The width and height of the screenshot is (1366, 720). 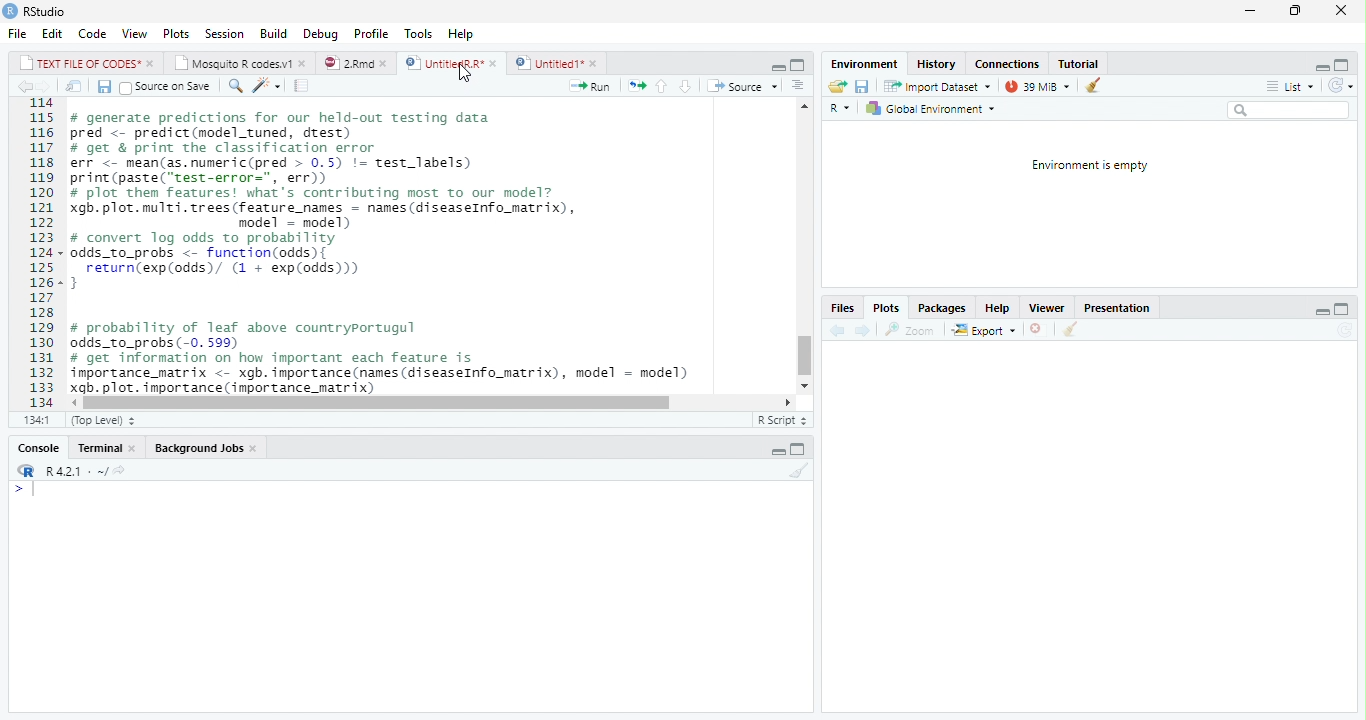 I want to click on # generate predictions for our held-out testing data
pred <- predict(model_tuned, drest)
# get & print the classification error
err <- mean(as.numeric(pred > 0.5) != test_labels)
print (paste(“test-error=", err))
# plot them features! what's contributing most to our model?
gb. plot. multi. trees (feature_names = names (diseaseInfo_matrix),
model = model)
# convert log odds to probability
odds_to_probs <- function(odds){
return(exp(odds)/ (1 + exp(0dds)))
3, so click(x=334, y=204).